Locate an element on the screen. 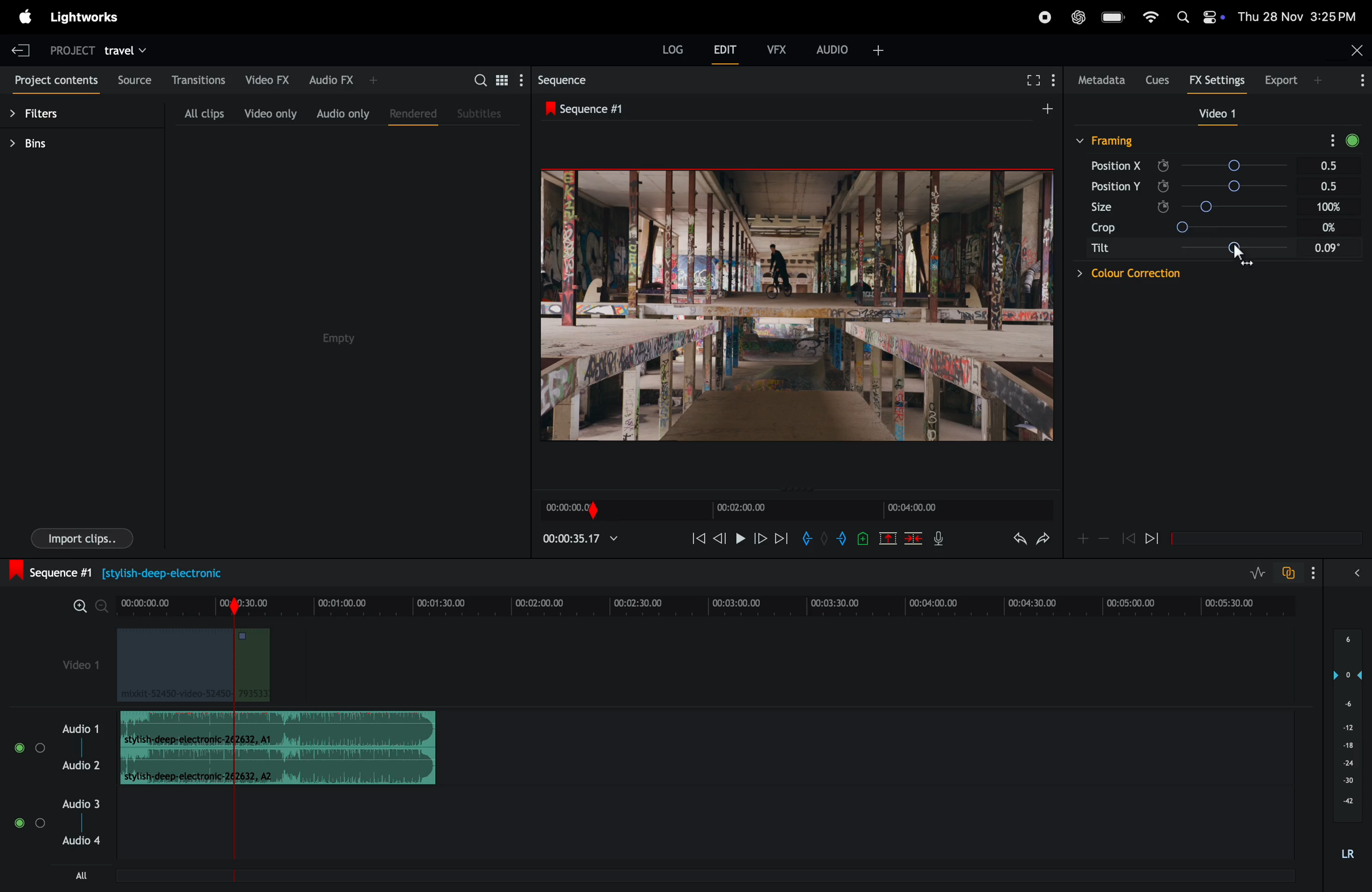 This screenshot has height=892, width=1372. remove marked section is located at coordinates (889, 537).